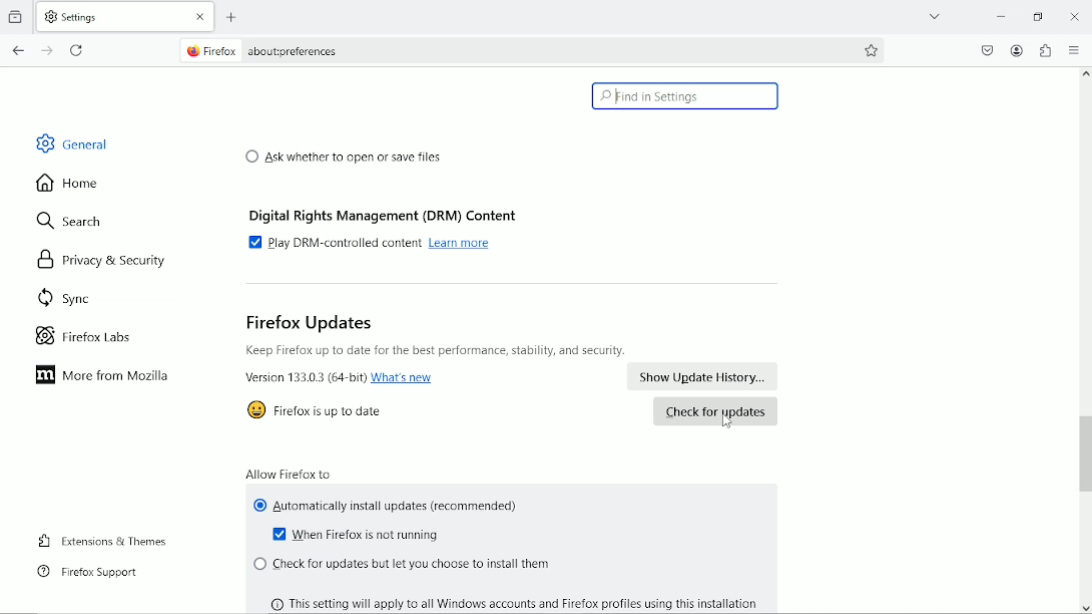 This screenshot has height=614, width=1092. Describe the element at coordinates (1072, 50) in the screenshot. I see `open application menu` at that location.